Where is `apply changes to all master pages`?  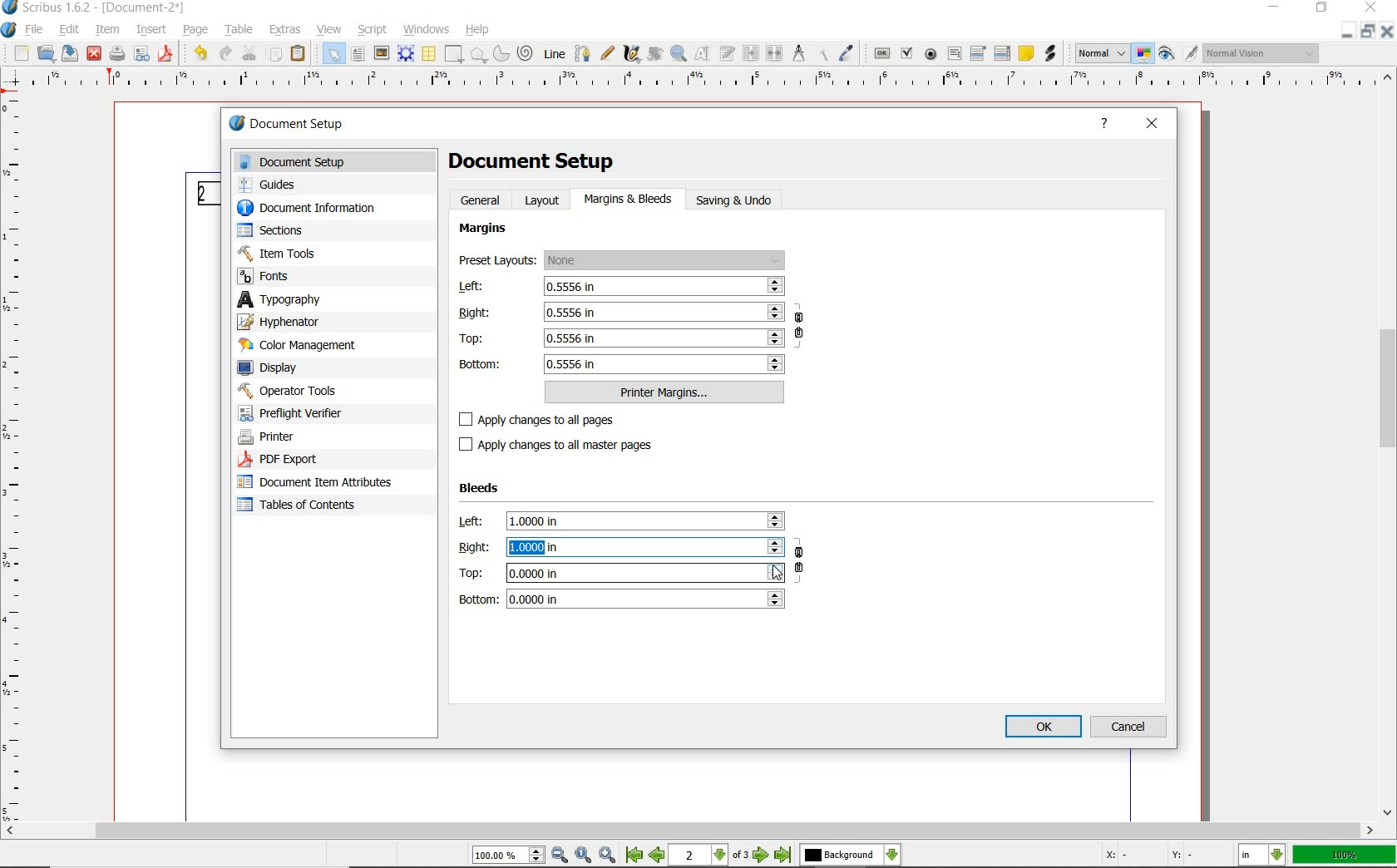 apply changes to all master pages is located at coordinates (565, 445).